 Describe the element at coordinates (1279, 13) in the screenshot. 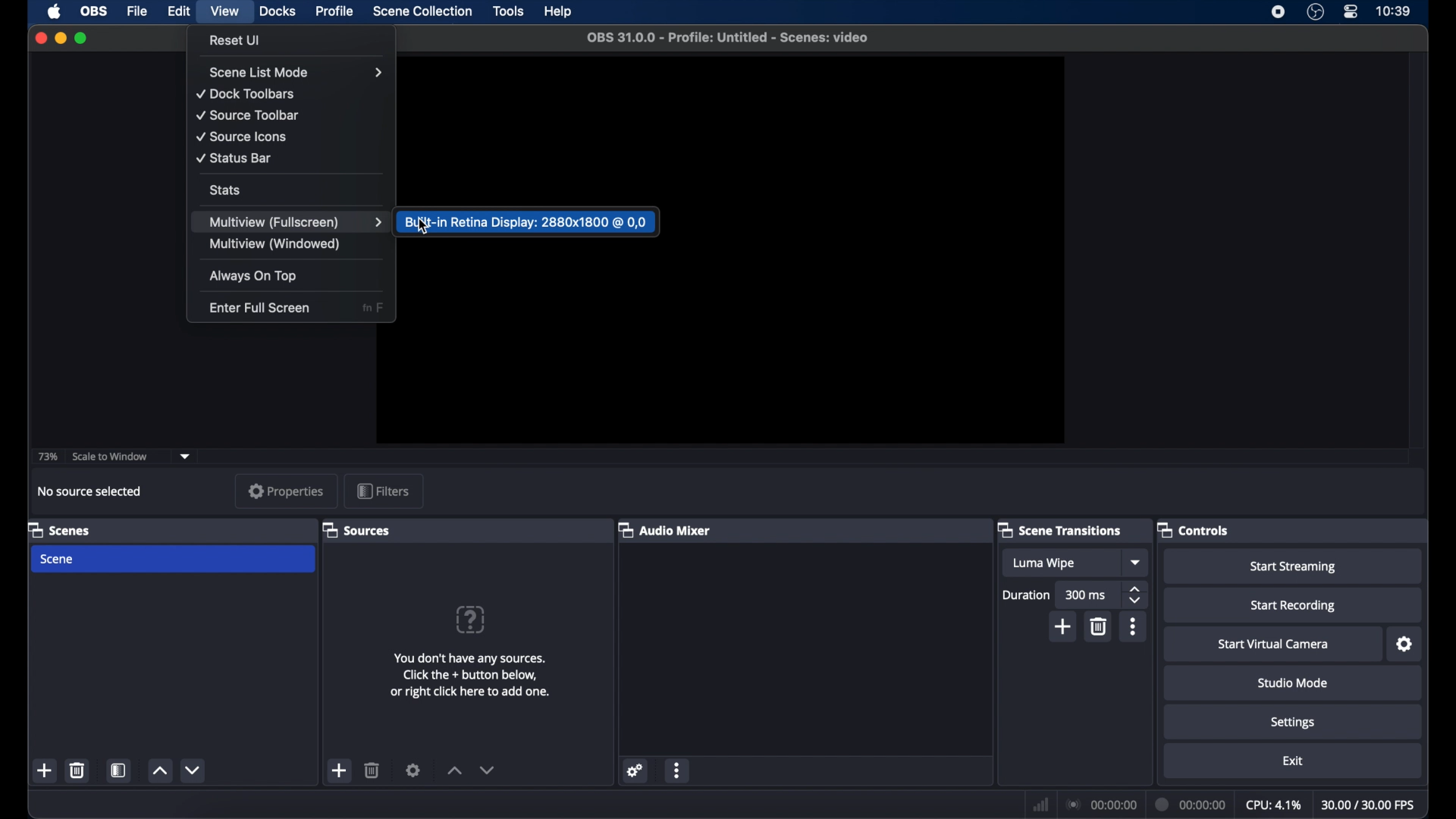

I see `screen recorder icon` at that location.